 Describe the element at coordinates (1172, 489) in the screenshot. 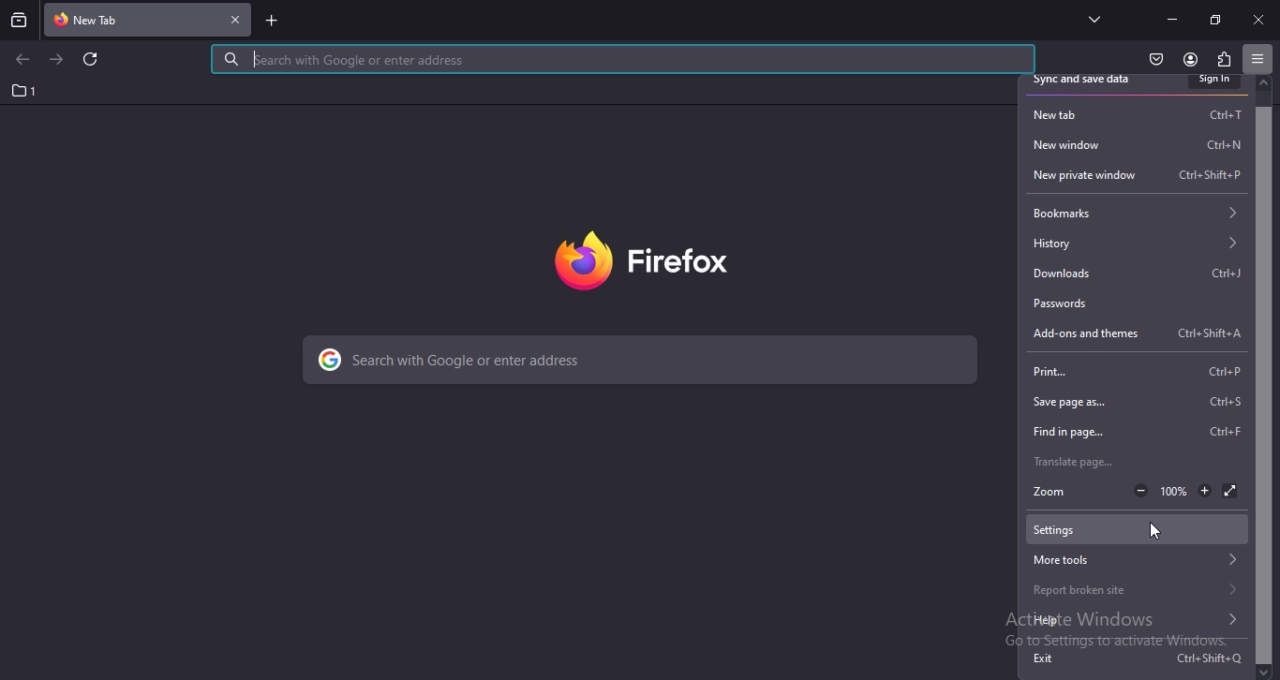

I see `100%` at that location.